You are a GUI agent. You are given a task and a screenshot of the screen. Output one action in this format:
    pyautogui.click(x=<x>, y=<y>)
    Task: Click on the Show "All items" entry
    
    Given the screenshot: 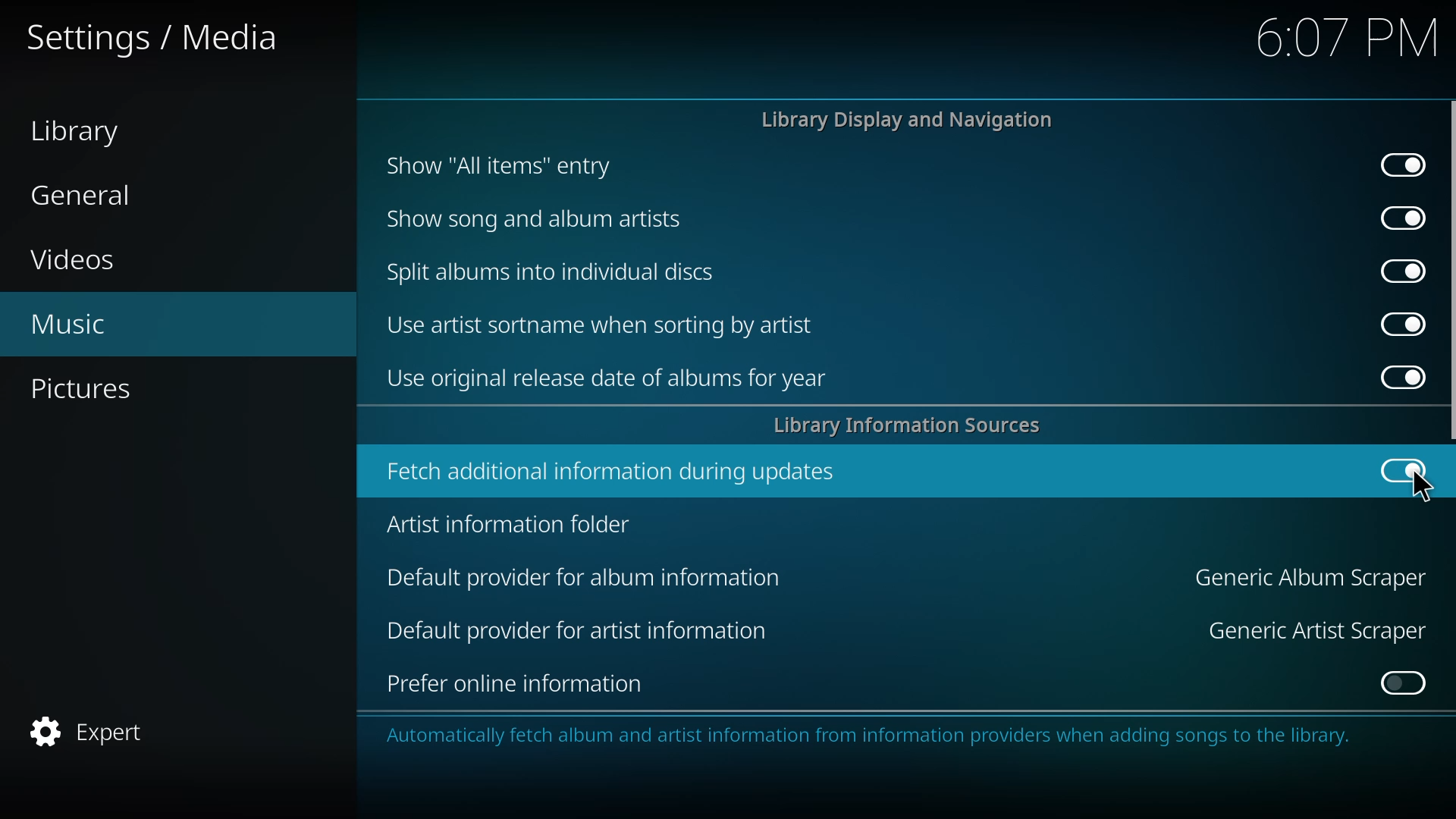 What is the action you would take?
    pyautogui.click(x=498, y=170)
    